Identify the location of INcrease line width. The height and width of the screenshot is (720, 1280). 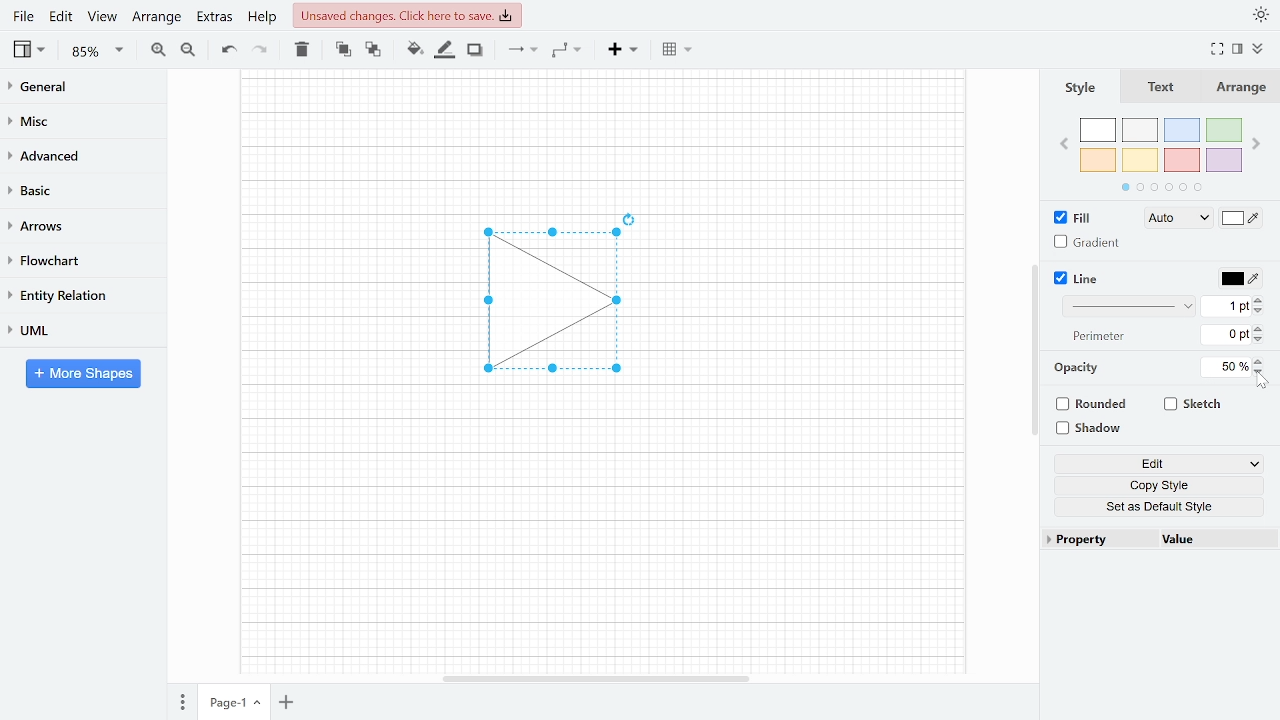
(1261, 297).